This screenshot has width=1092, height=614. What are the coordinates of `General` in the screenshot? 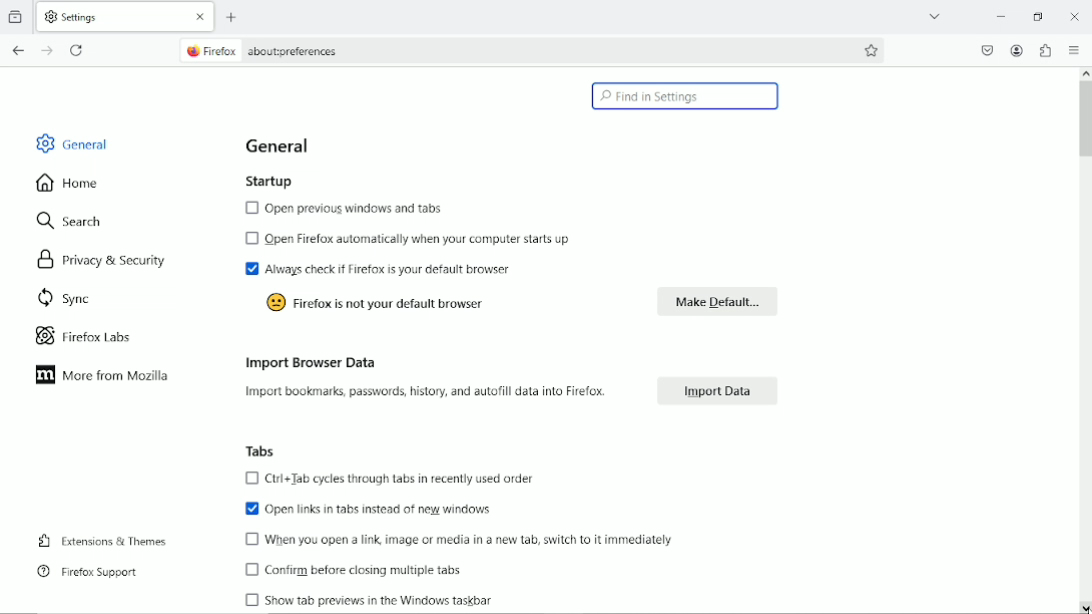 It's located at (276, 144).